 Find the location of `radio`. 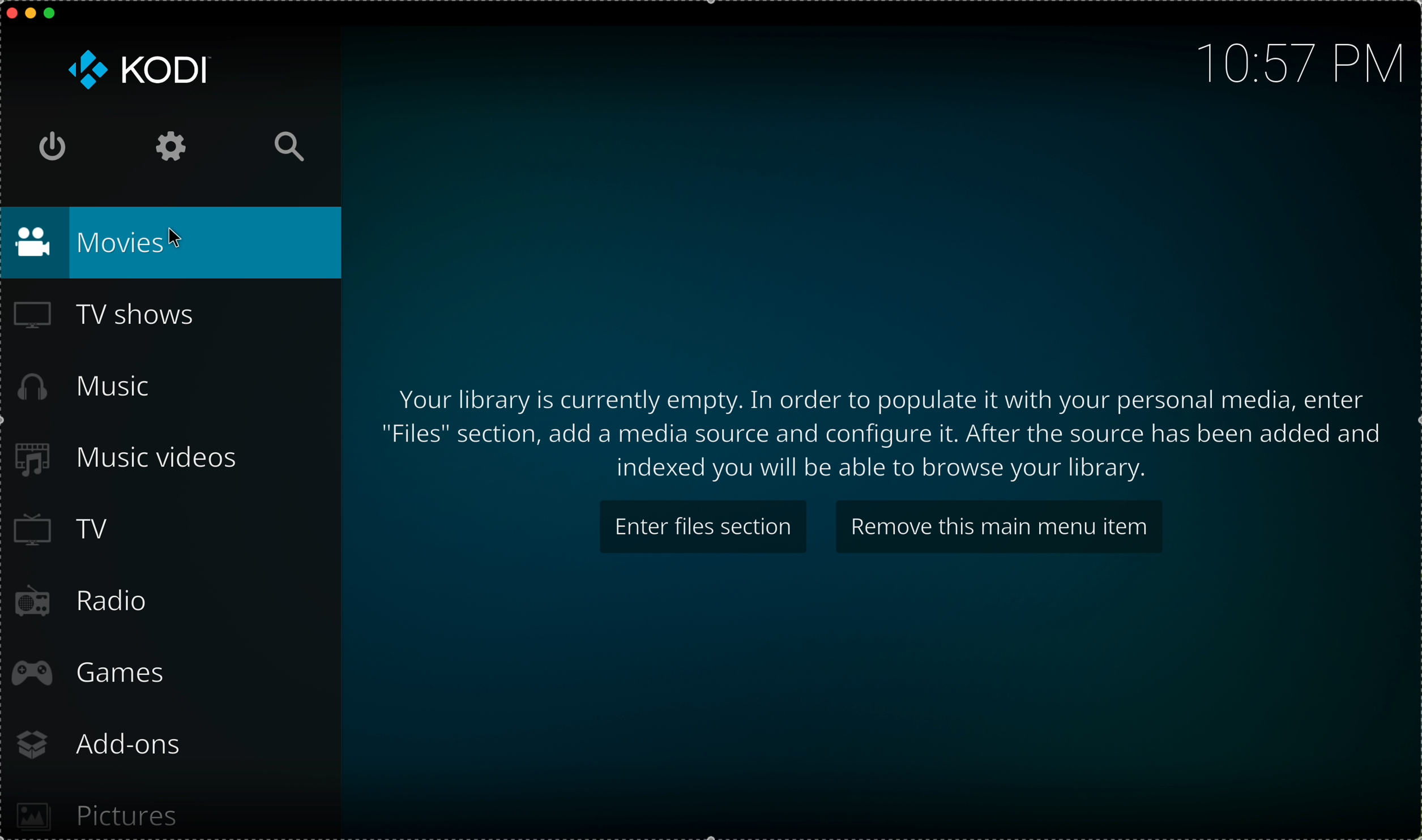

radio is located at coordinates (85, 603).